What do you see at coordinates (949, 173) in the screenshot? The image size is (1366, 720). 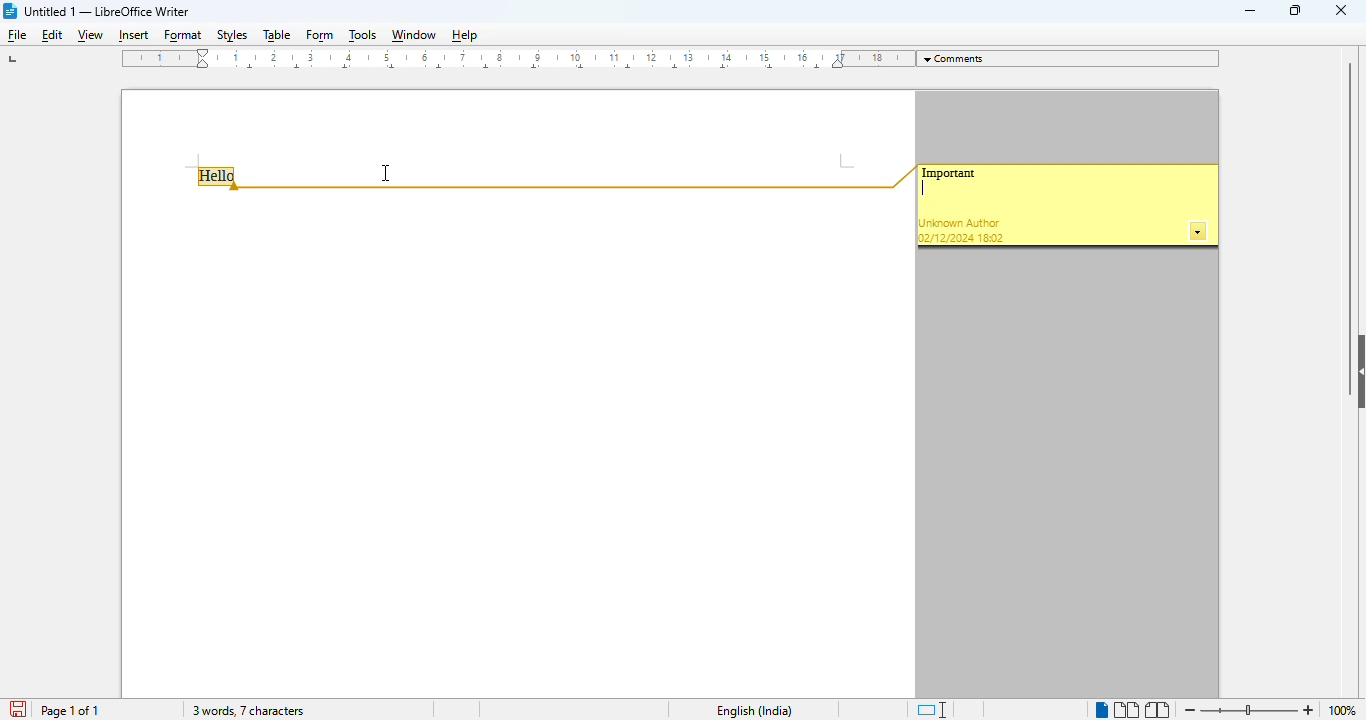 I see `comment inserted in the margin` at bounding box center [949, 173].